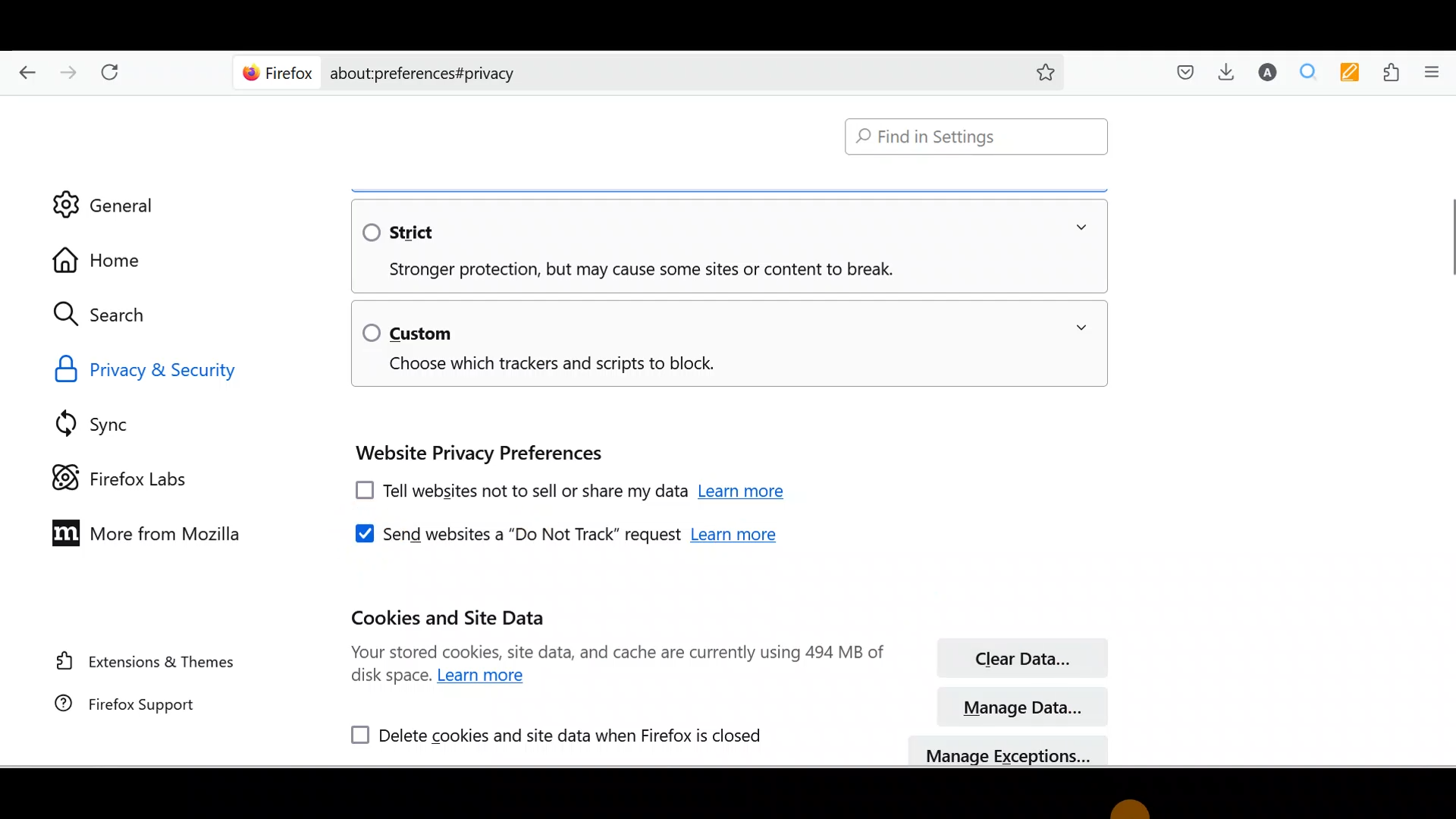 Image resolution: width=1456 pixels, height=819 pixels. I want to click on Account, so click(1267, 70).